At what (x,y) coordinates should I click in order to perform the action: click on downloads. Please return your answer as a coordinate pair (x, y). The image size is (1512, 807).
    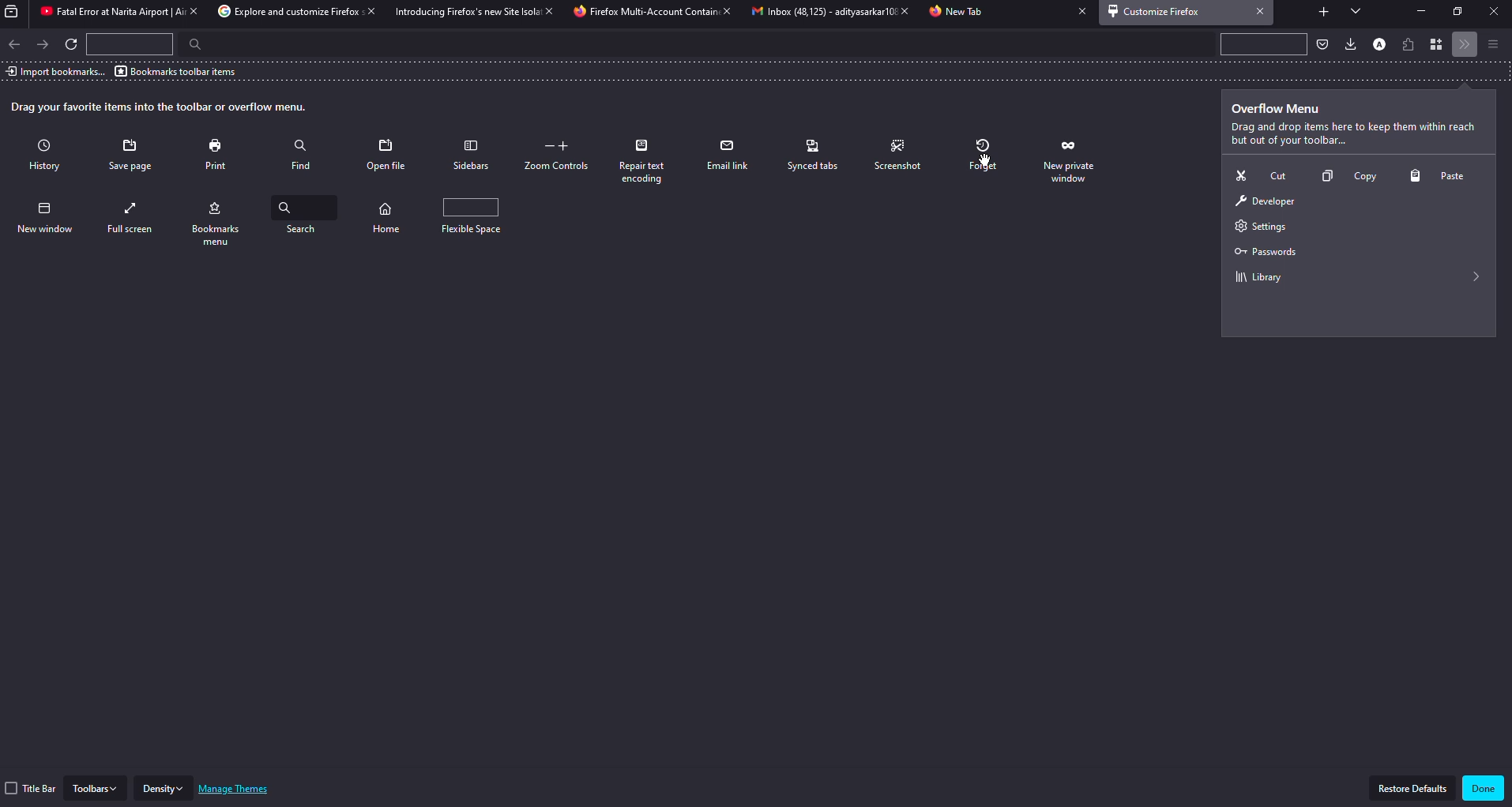
    Looking at the image, I should click on (1348, 43).